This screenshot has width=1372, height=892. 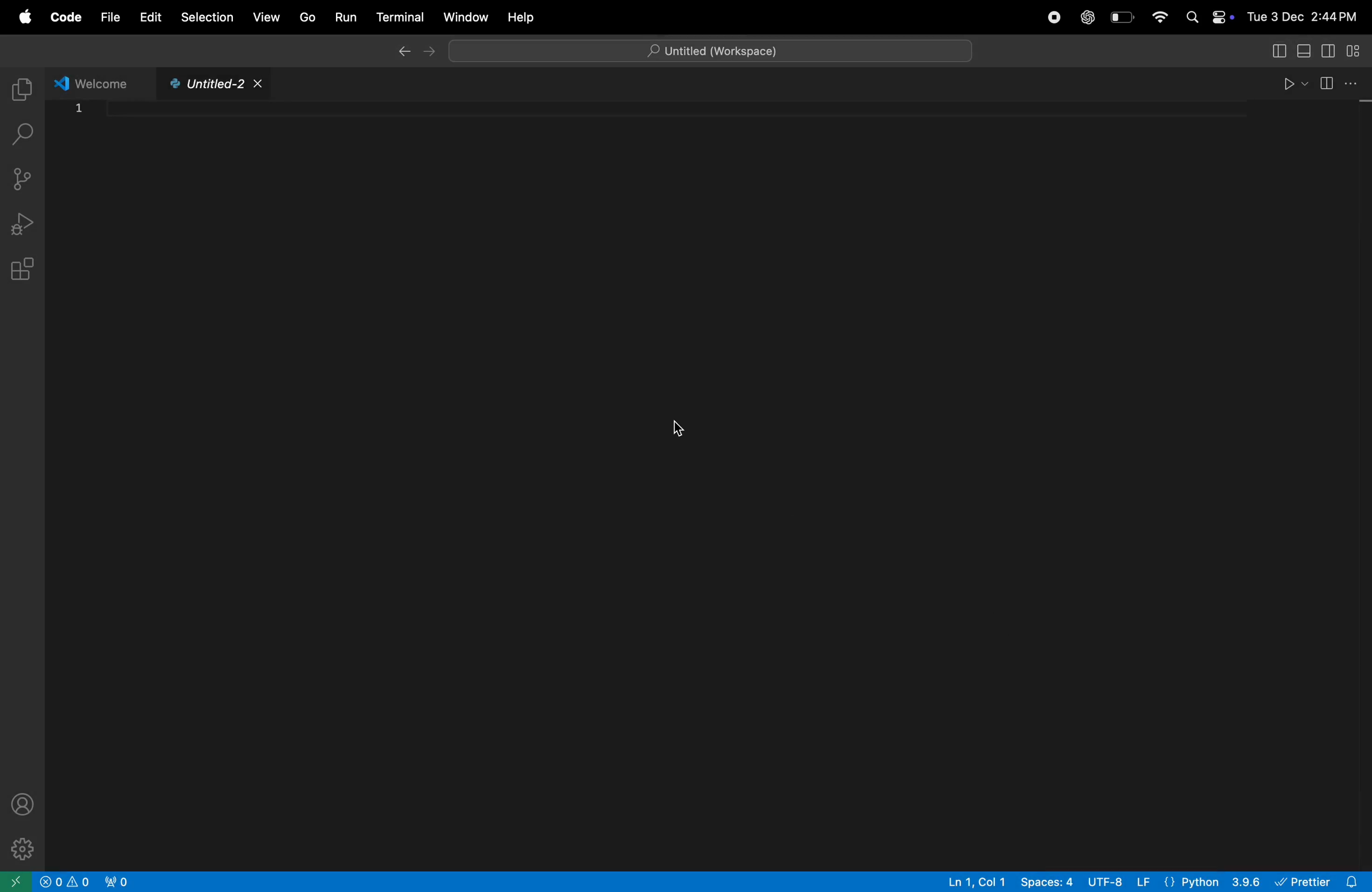 I want to click on run debug, so click(x=24, y=220).